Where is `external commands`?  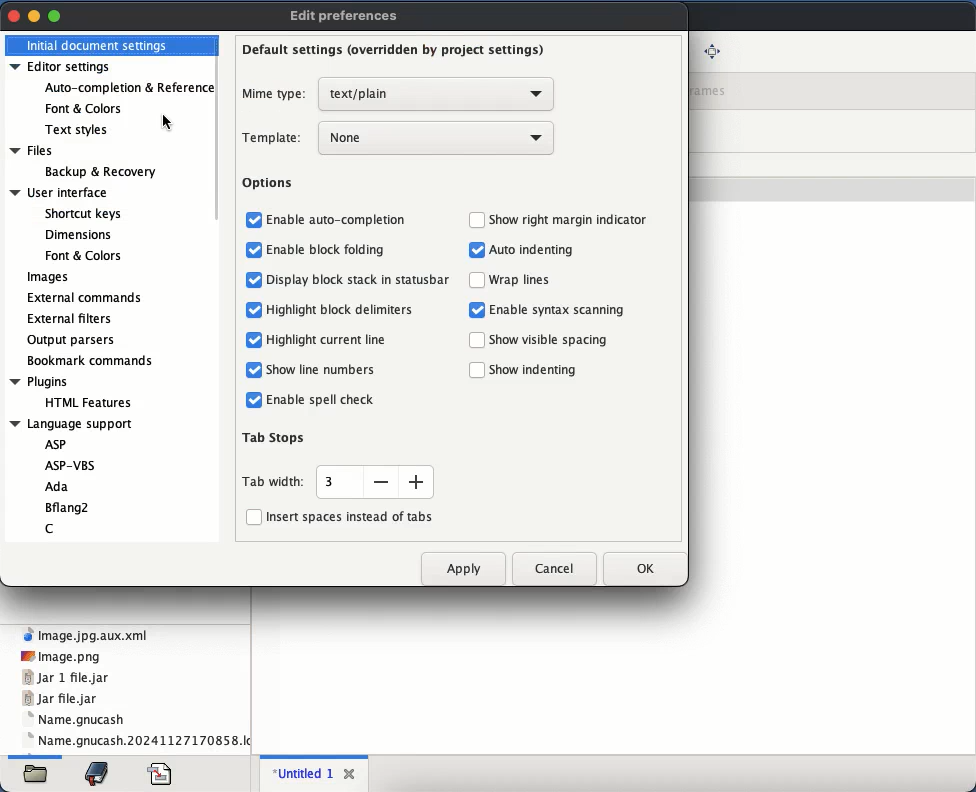
external commands is located at coordinates (83, 297).